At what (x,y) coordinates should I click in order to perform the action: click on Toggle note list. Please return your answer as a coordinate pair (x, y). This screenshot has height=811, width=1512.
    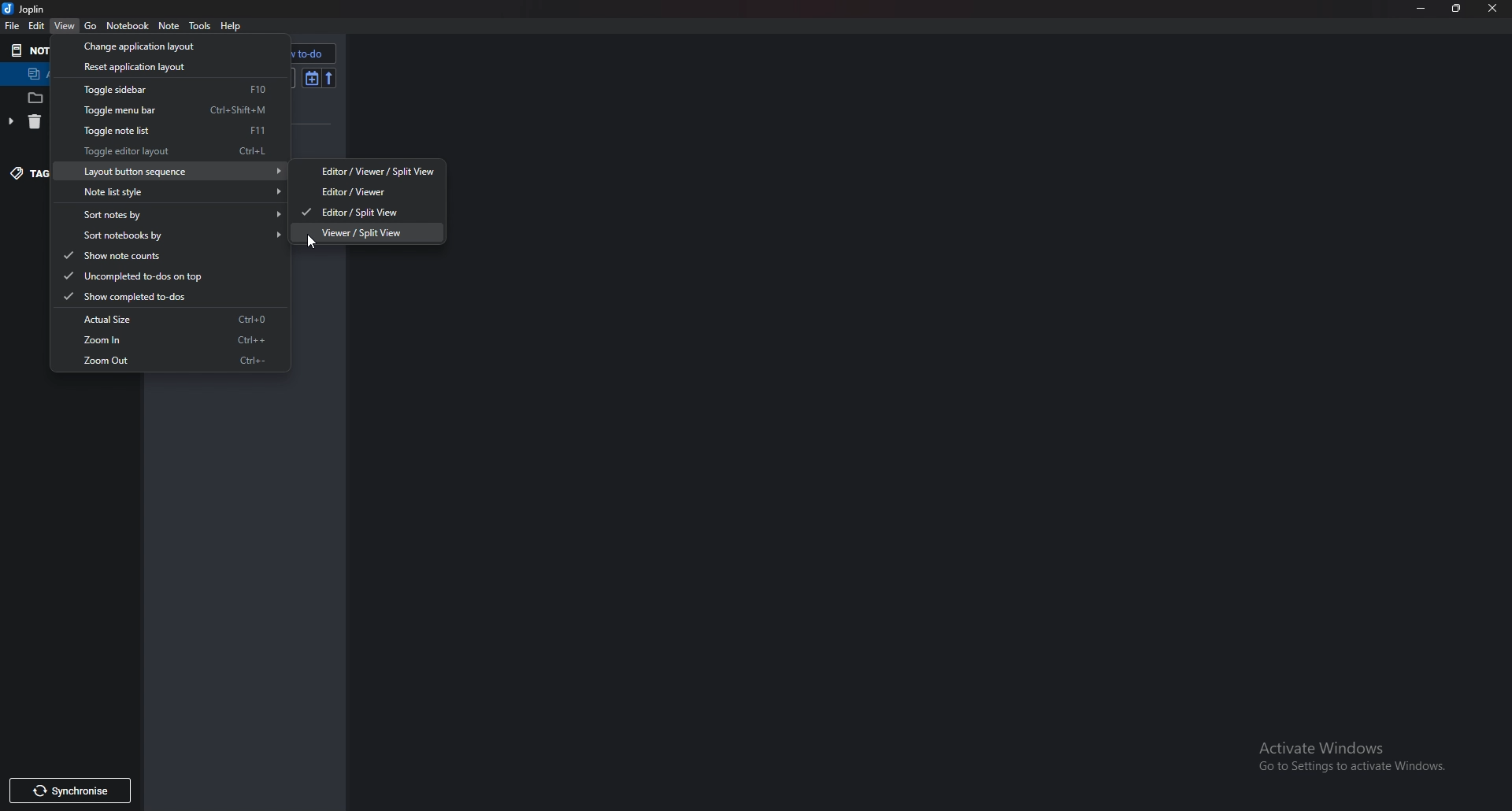
    Looking at the image, I should click on (172, 130).